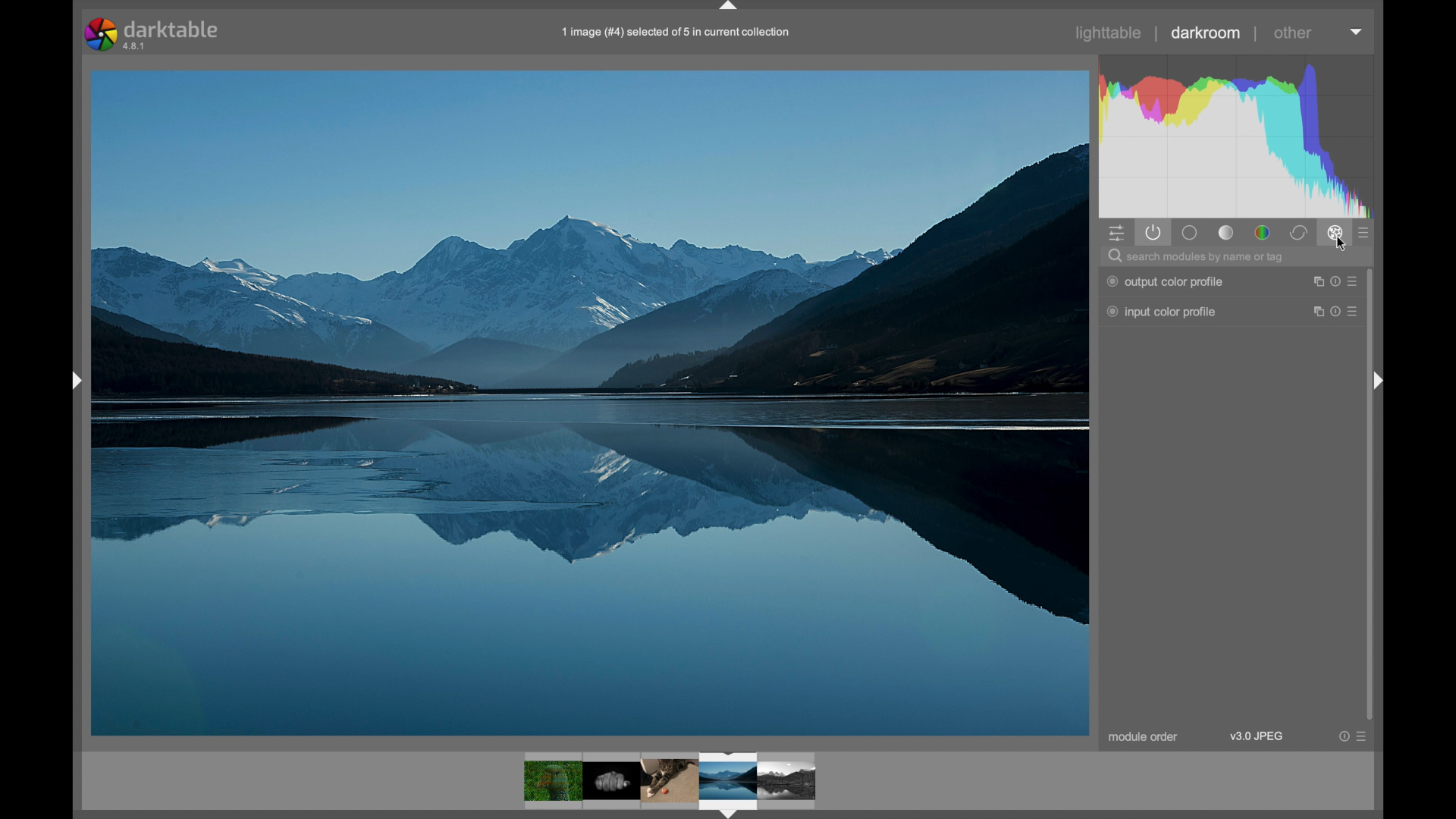 This screenshot has width=1456, height=819. Describe the element at coordinates (1161, 312) in the screenshot. I see `input color profile` at that location.